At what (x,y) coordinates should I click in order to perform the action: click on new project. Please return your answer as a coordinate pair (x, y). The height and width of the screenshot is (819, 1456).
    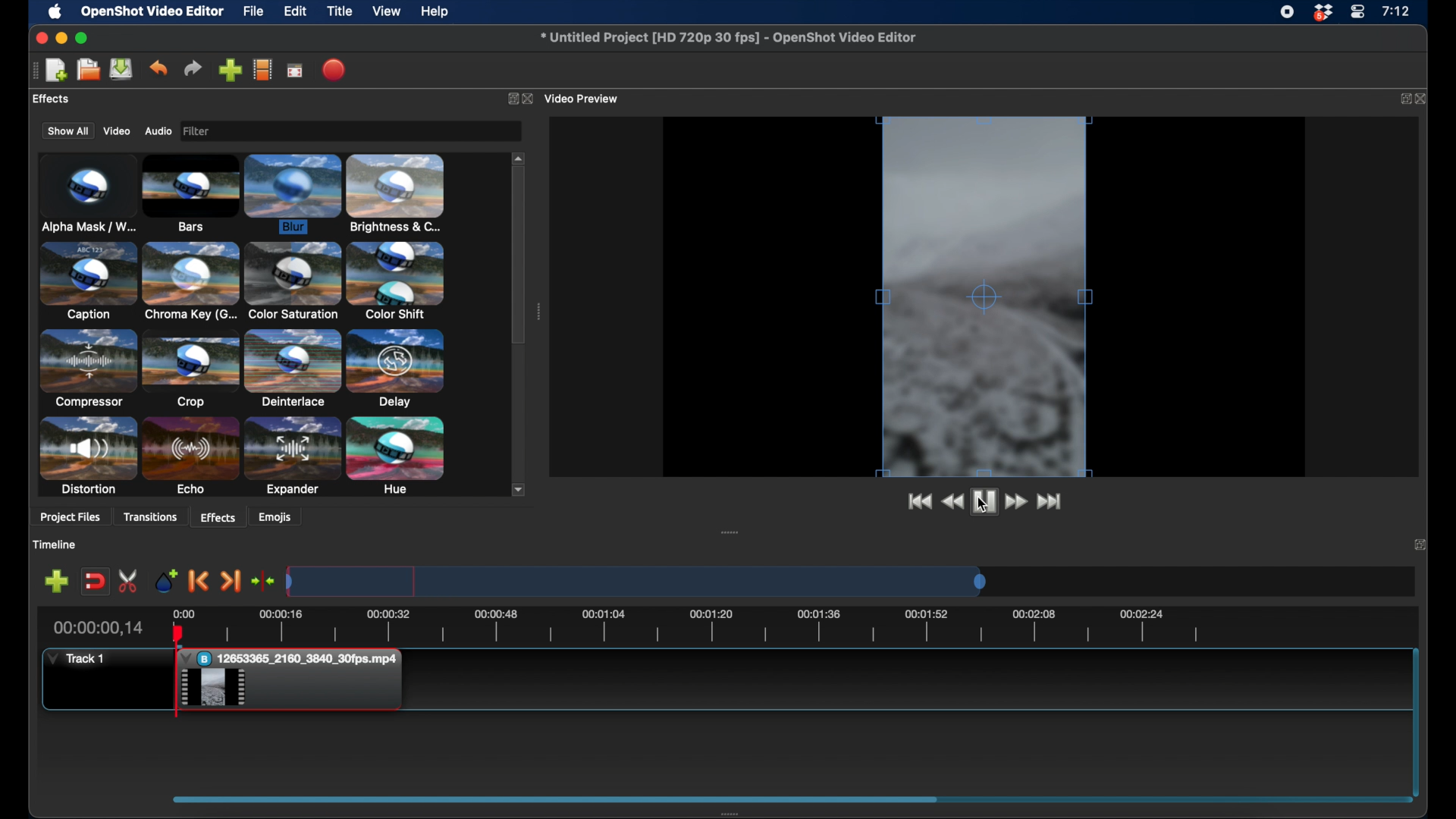
    Looking at the image, I should click on (56, 71).